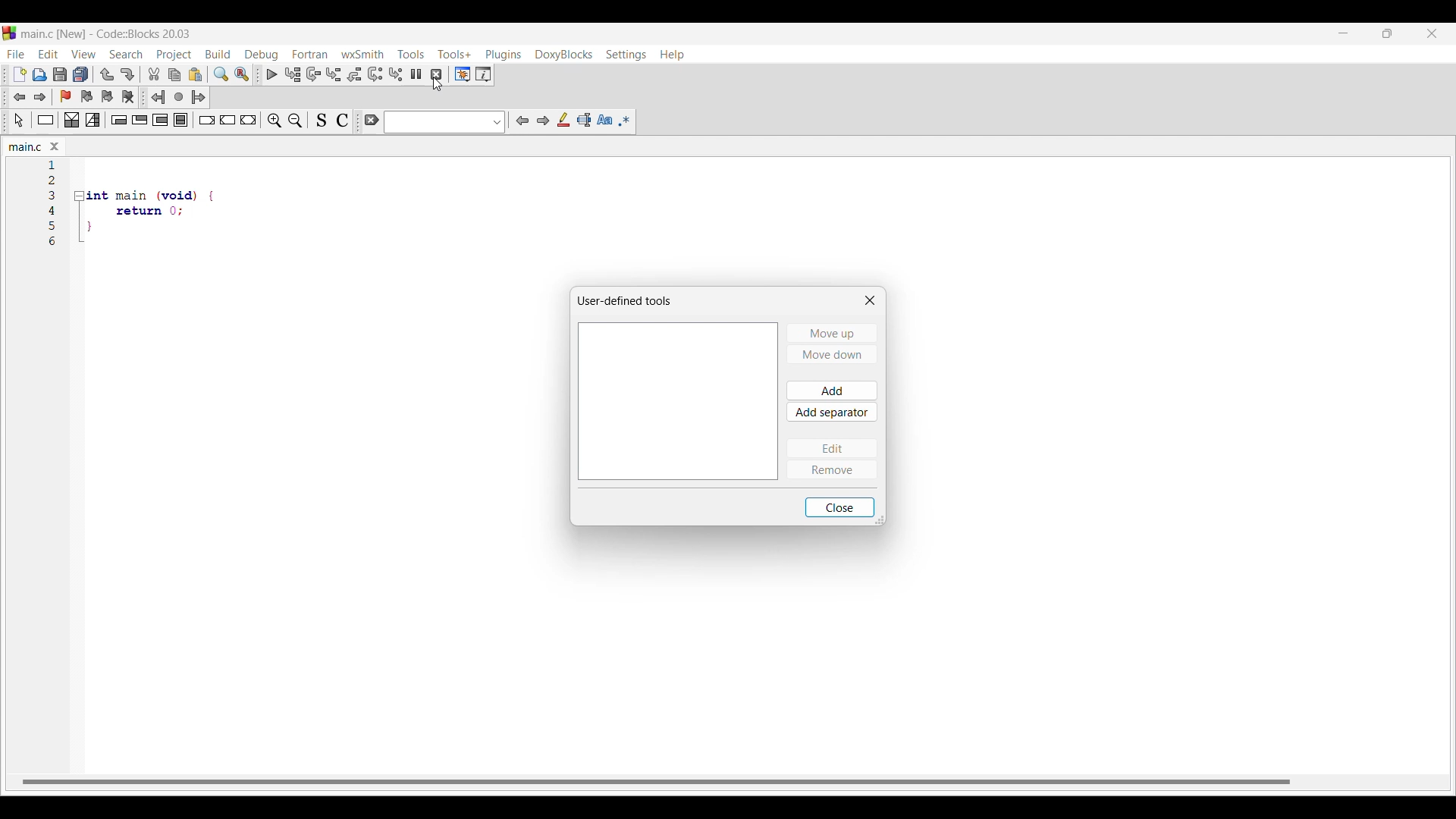 The height and width of the screenshot is (819, 1456). I want to click on Close window, so click(871, 300).